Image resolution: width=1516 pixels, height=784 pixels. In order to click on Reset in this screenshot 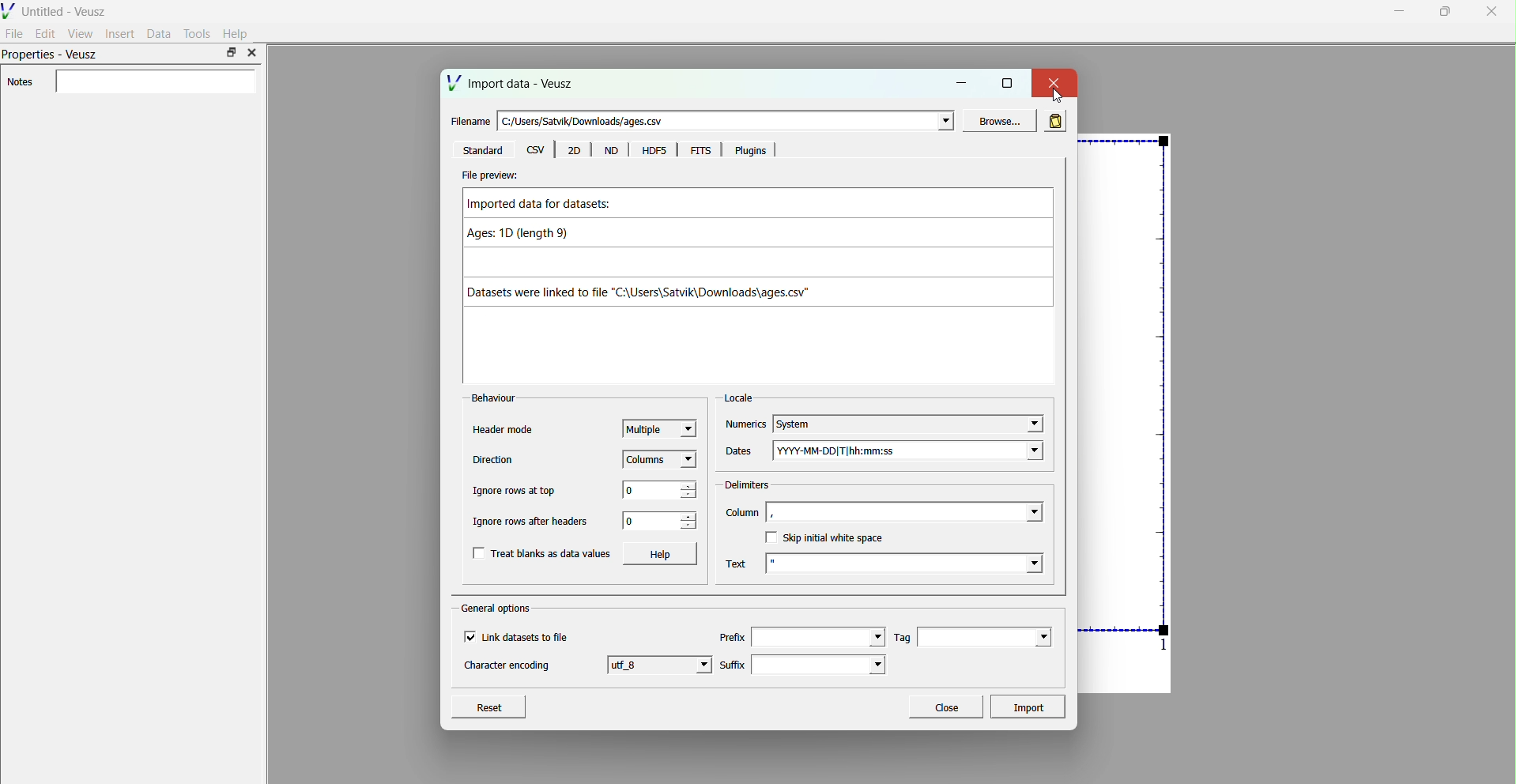, I will do `click(488, 705)`.